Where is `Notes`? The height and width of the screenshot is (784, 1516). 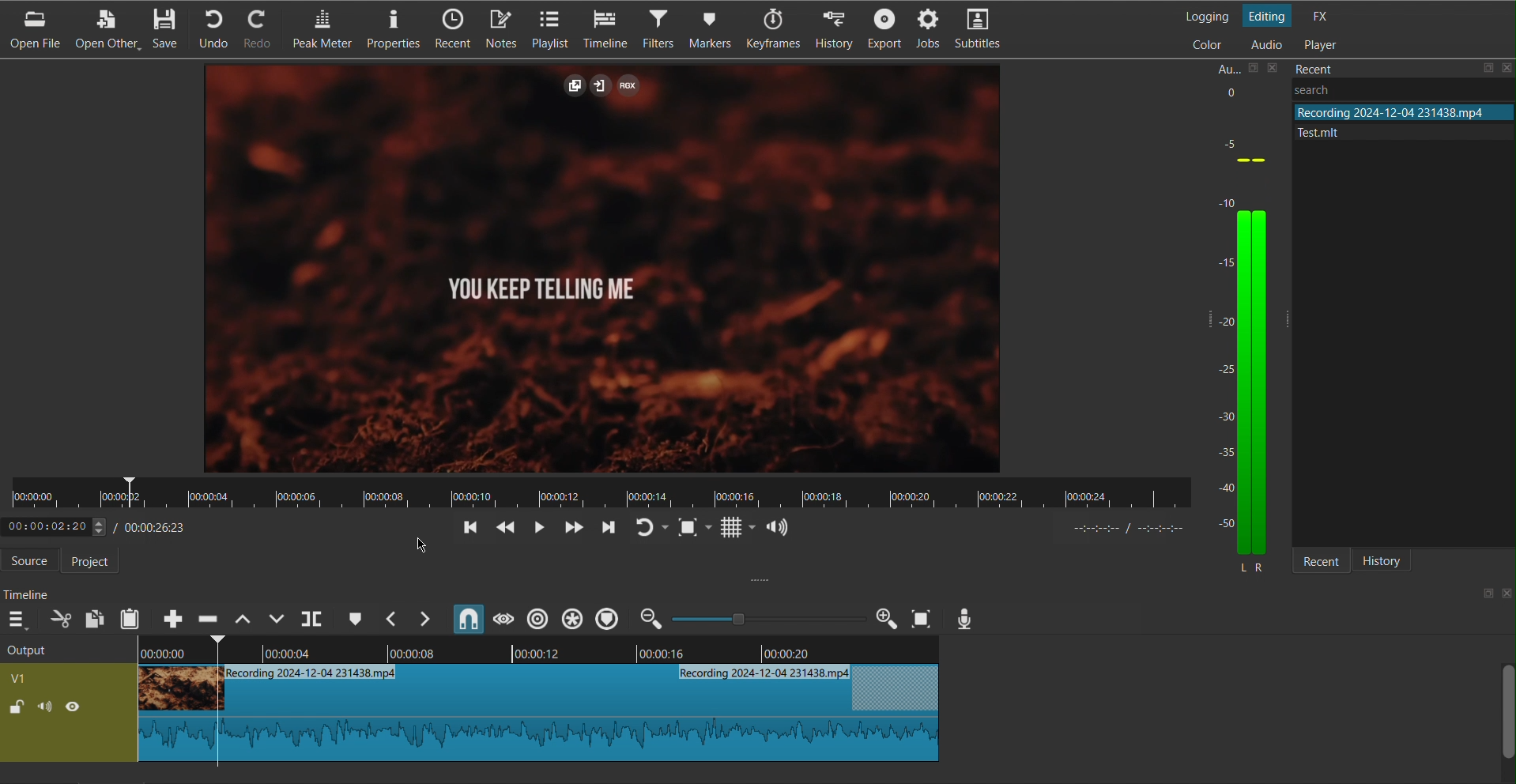 Notes is located at coordinates (503, 28).